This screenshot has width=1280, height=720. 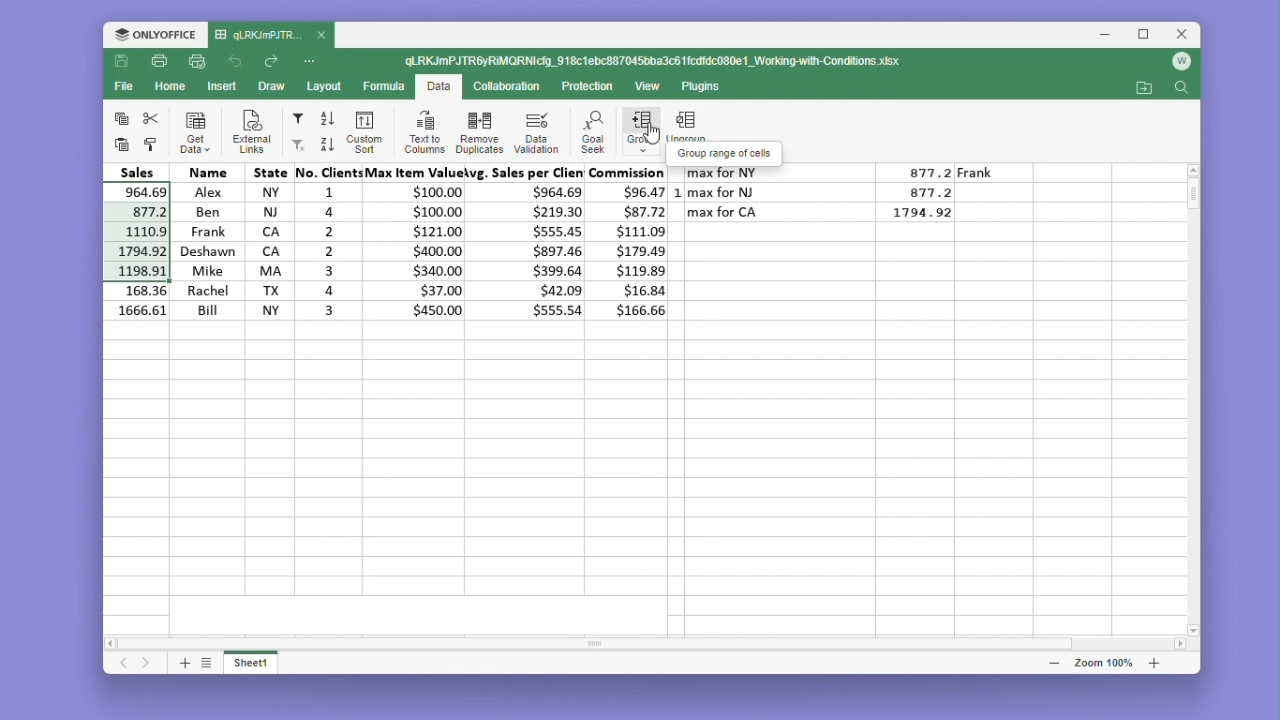 What do you see at coordinates (183, 662) in the screenshot?
I see `add sheet` at bounding box center [183, 662].